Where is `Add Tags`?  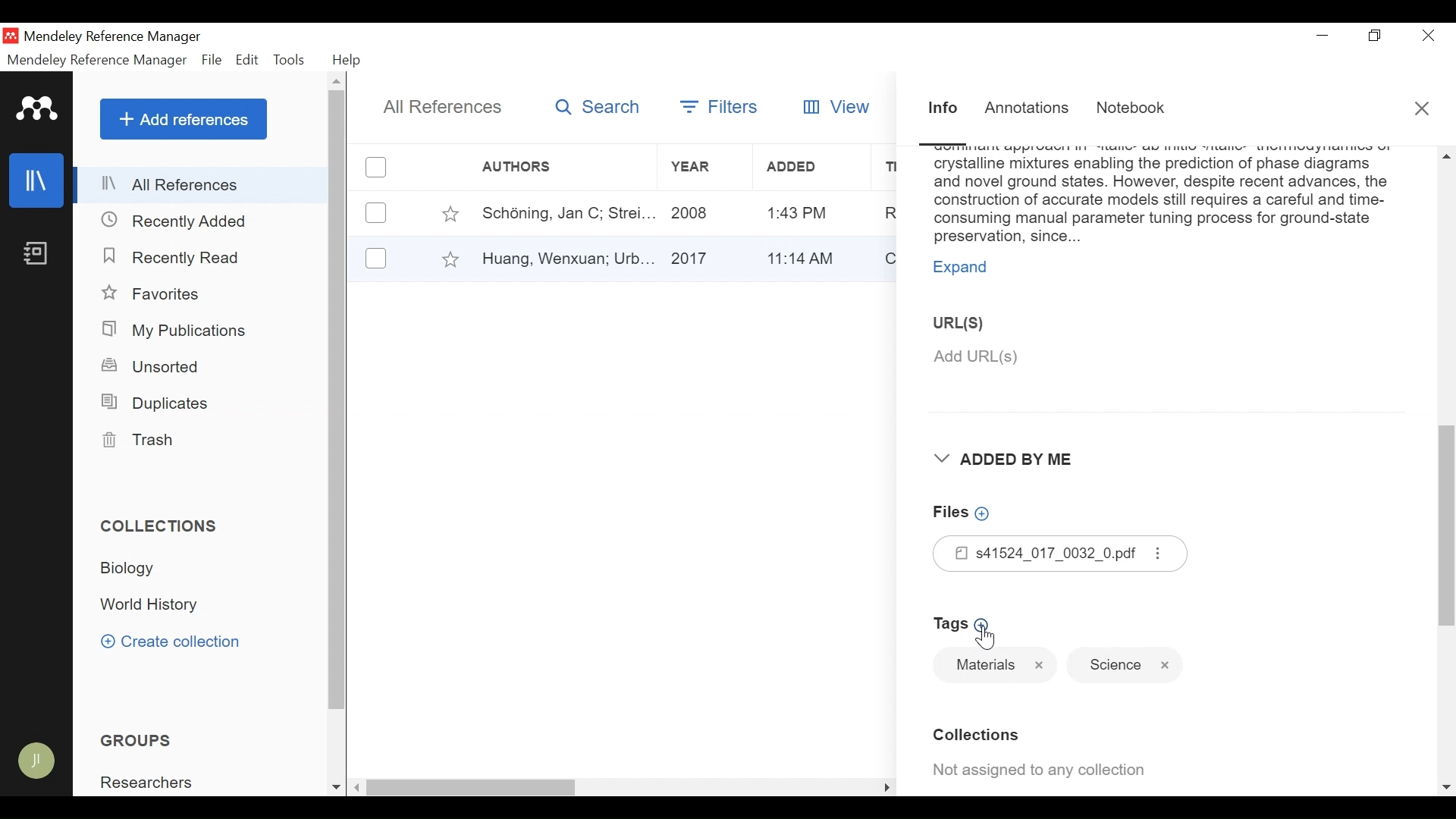 Add Tags is located at coordinates (966, 625).